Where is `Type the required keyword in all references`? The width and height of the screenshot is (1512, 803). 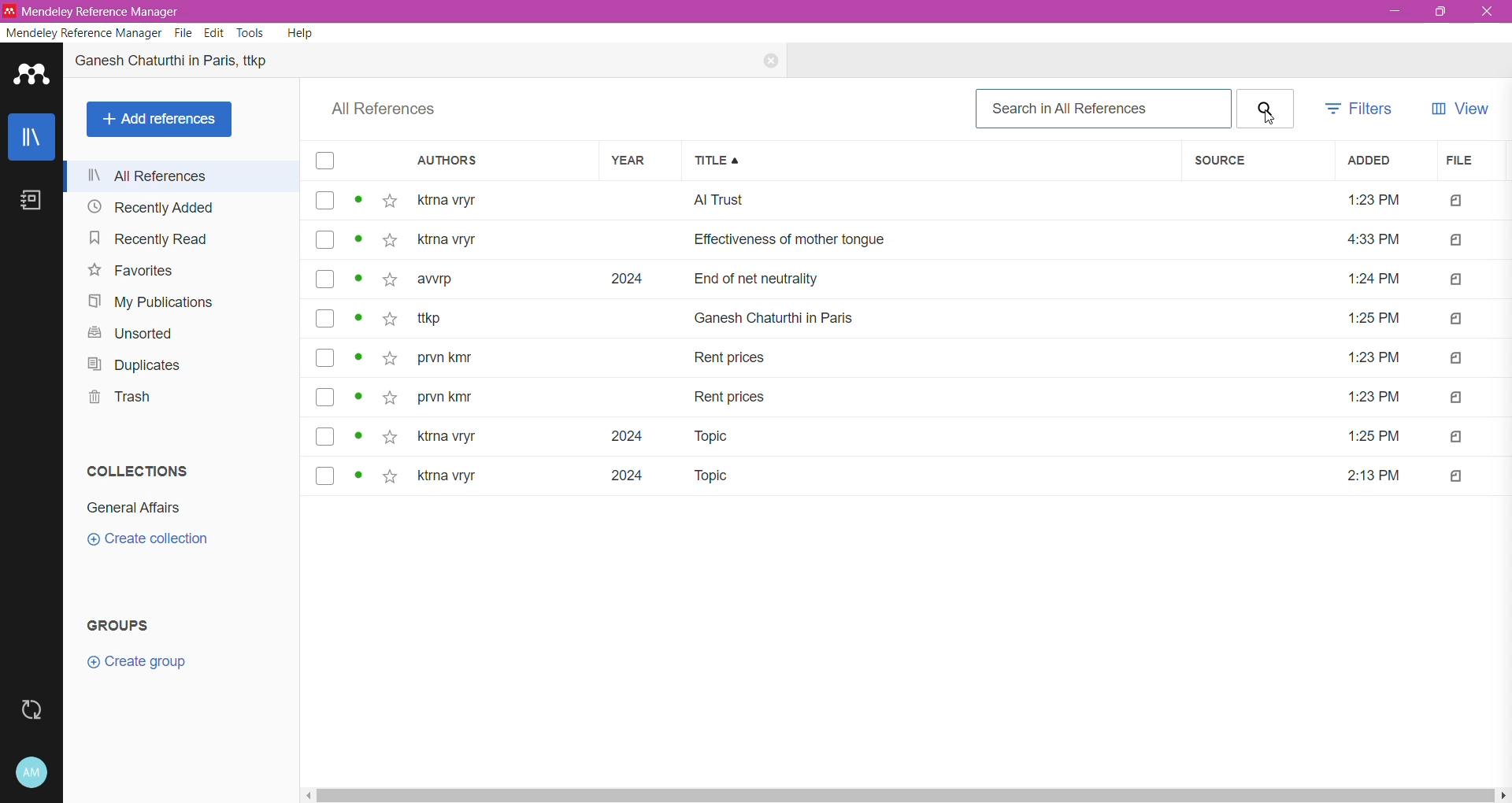
Type the required keyword in all references is located at coordinates (1103, 109).